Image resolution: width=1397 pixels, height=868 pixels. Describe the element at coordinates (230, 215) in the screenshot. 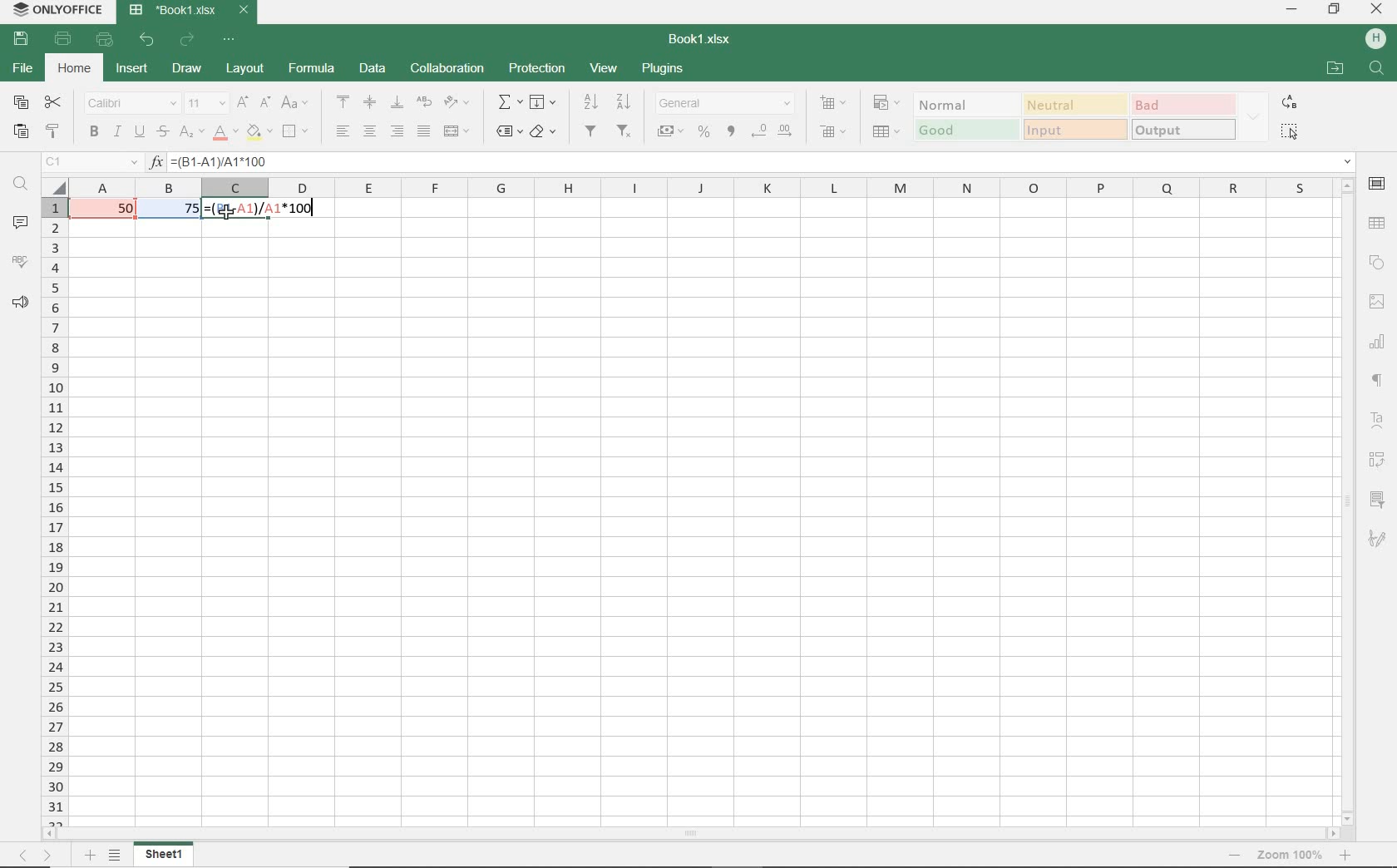

I see `cursor` at that location.